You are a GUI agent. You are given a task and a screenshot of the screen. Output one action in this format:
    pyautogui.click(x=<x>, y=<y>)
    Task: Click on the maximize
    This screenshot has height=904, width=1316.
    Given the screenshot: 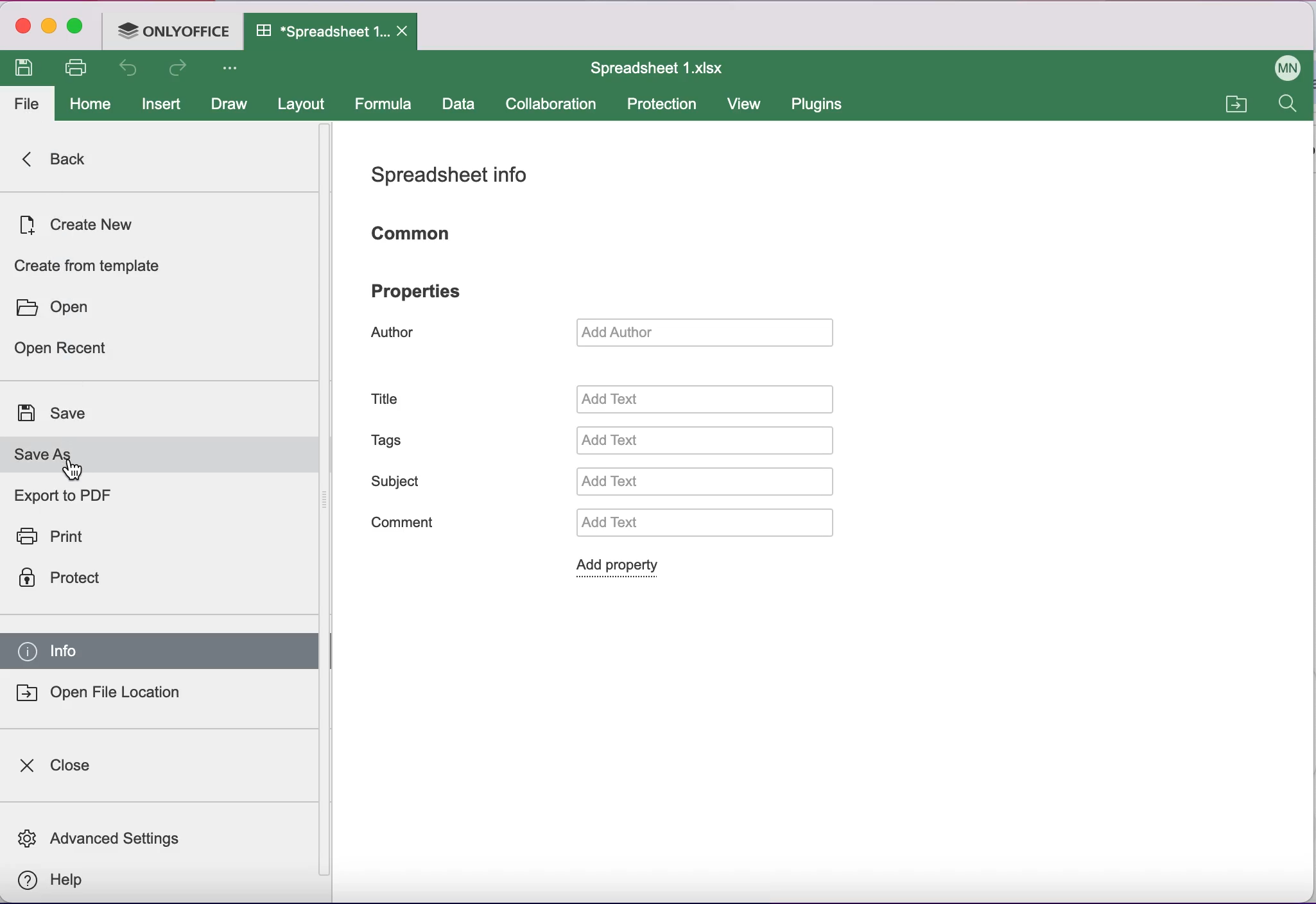 What is the action you would take?
    pyautogui.click(x=78, y=26)
    